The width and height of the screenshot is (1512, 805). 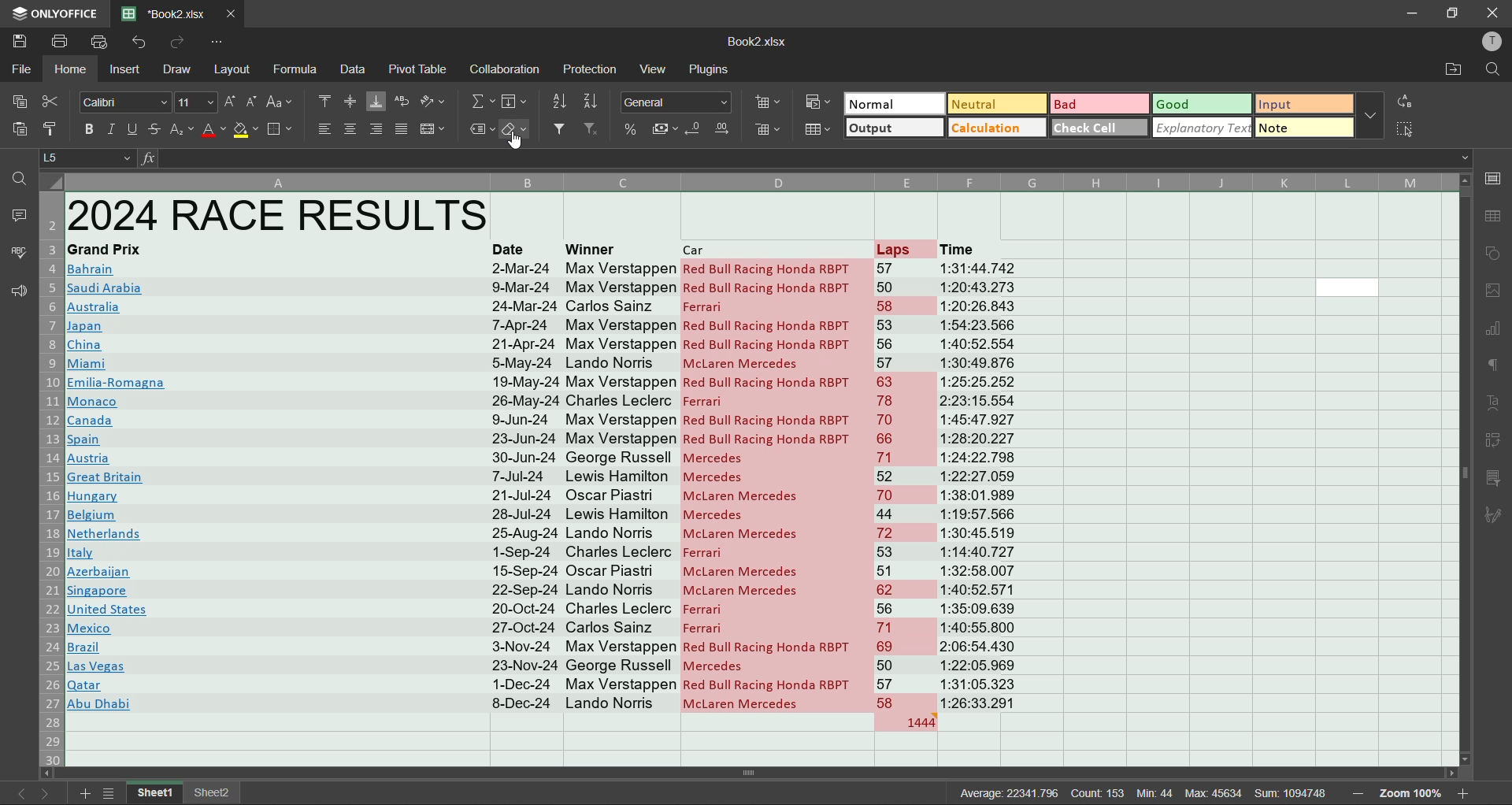 What do you see at coordinates (1299, 104) in the screenshot?
I see `input` at bounding box center [1299, 104].